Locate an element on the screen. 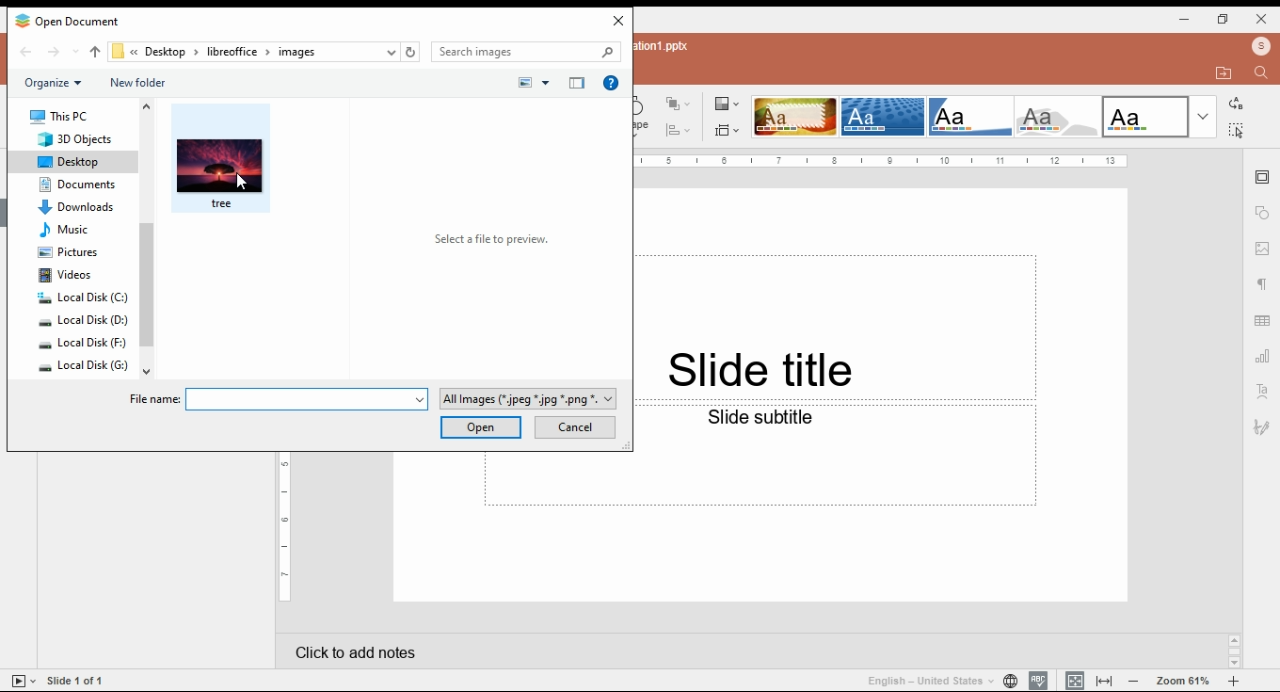 This screenshot has height=692, width=1280. system drive 4 is located at coordinates (84, 367).